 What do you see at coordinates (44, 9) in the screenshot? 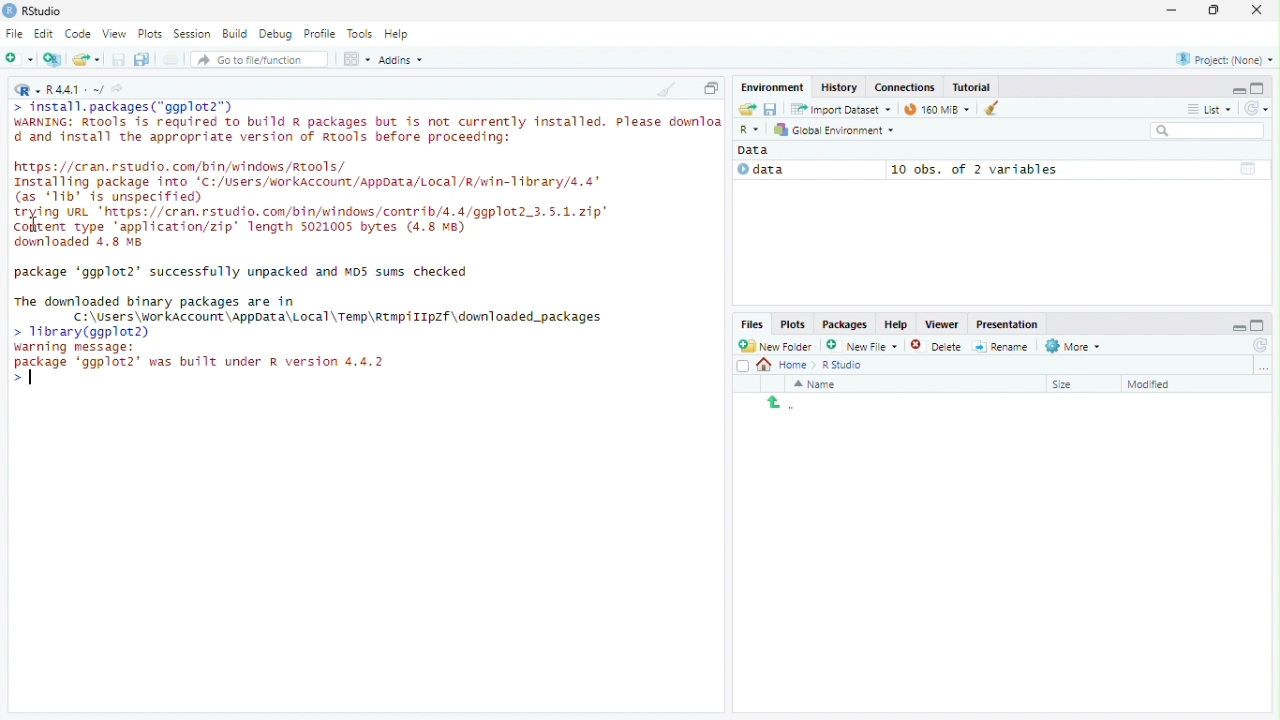
I see `RStudio` at bounding box center [44, 9].